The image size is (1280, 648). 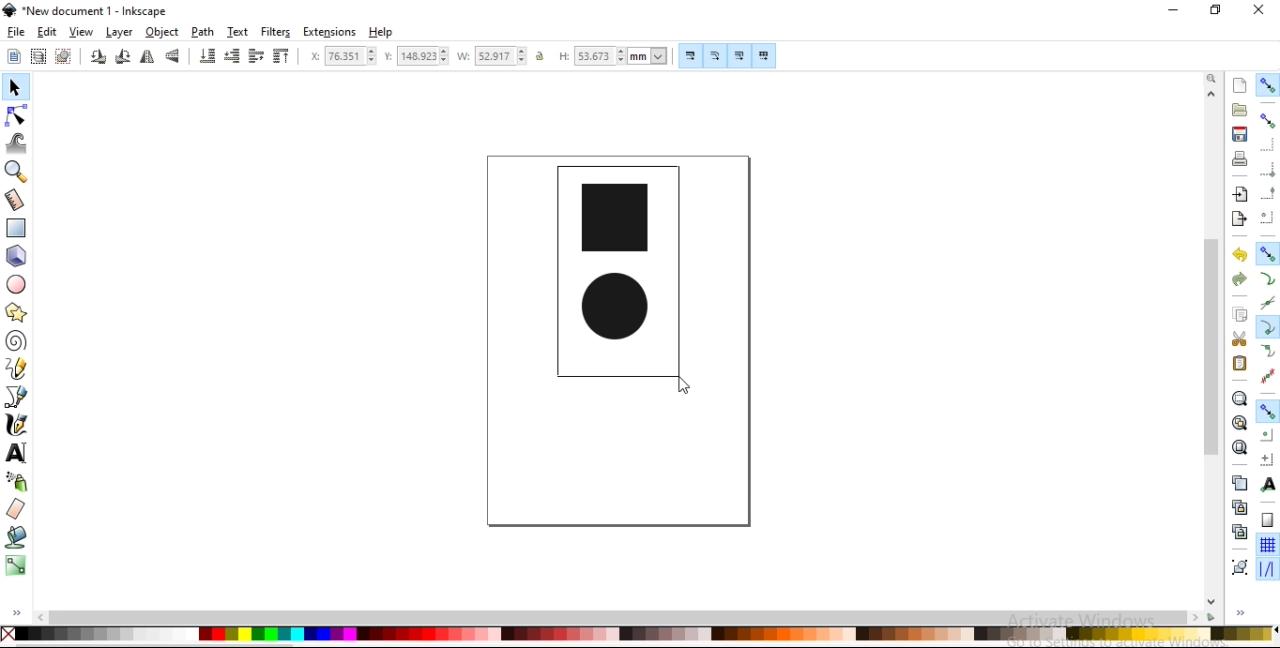 I want to click on lower selection by  one step, so click(x=234, y=56).